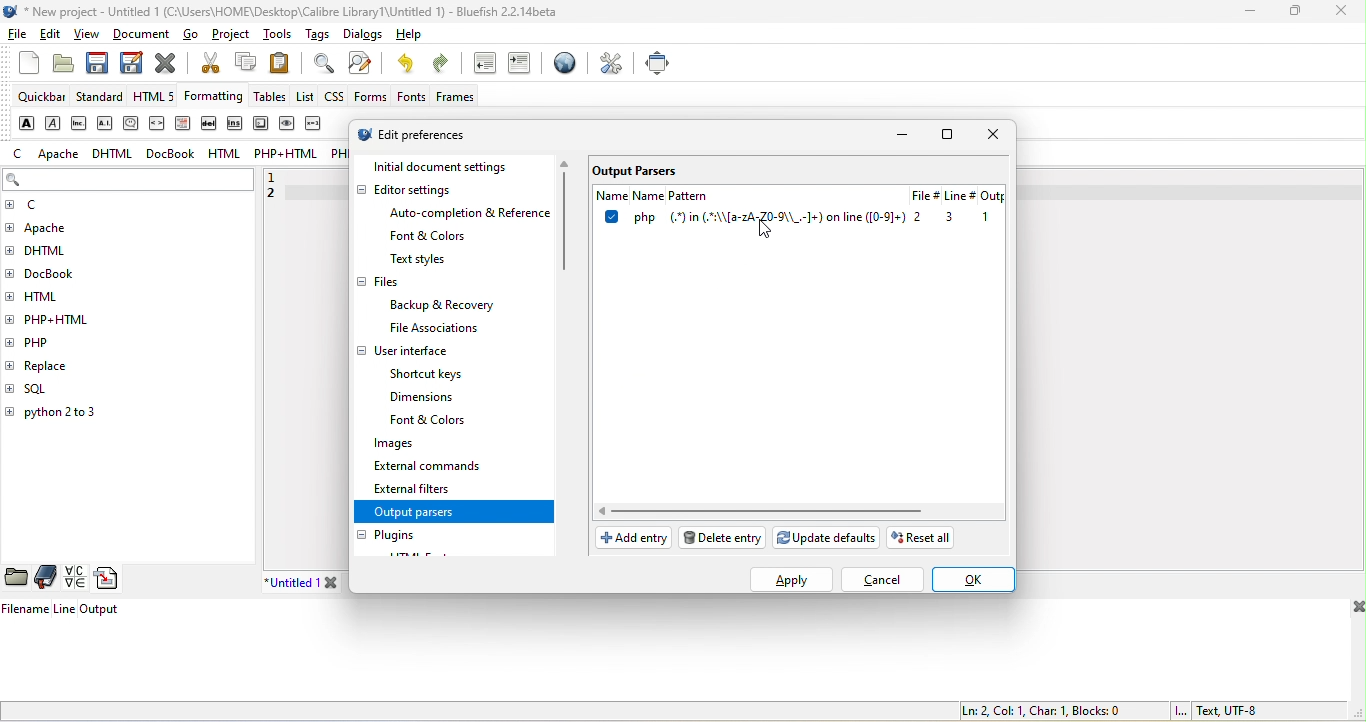 The width and height of the screenshot is (1366, 722). I want to click on go, so click(197, 37).